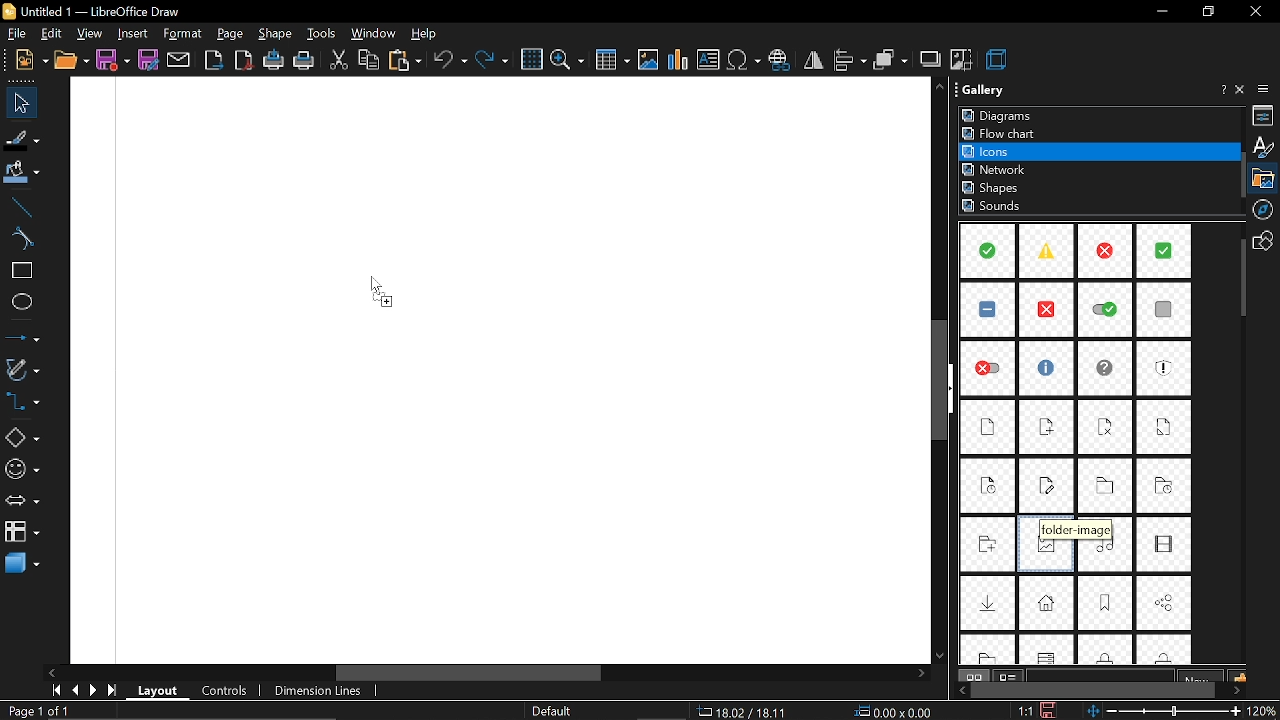  I want to click on gallery, so click(1266, 178).